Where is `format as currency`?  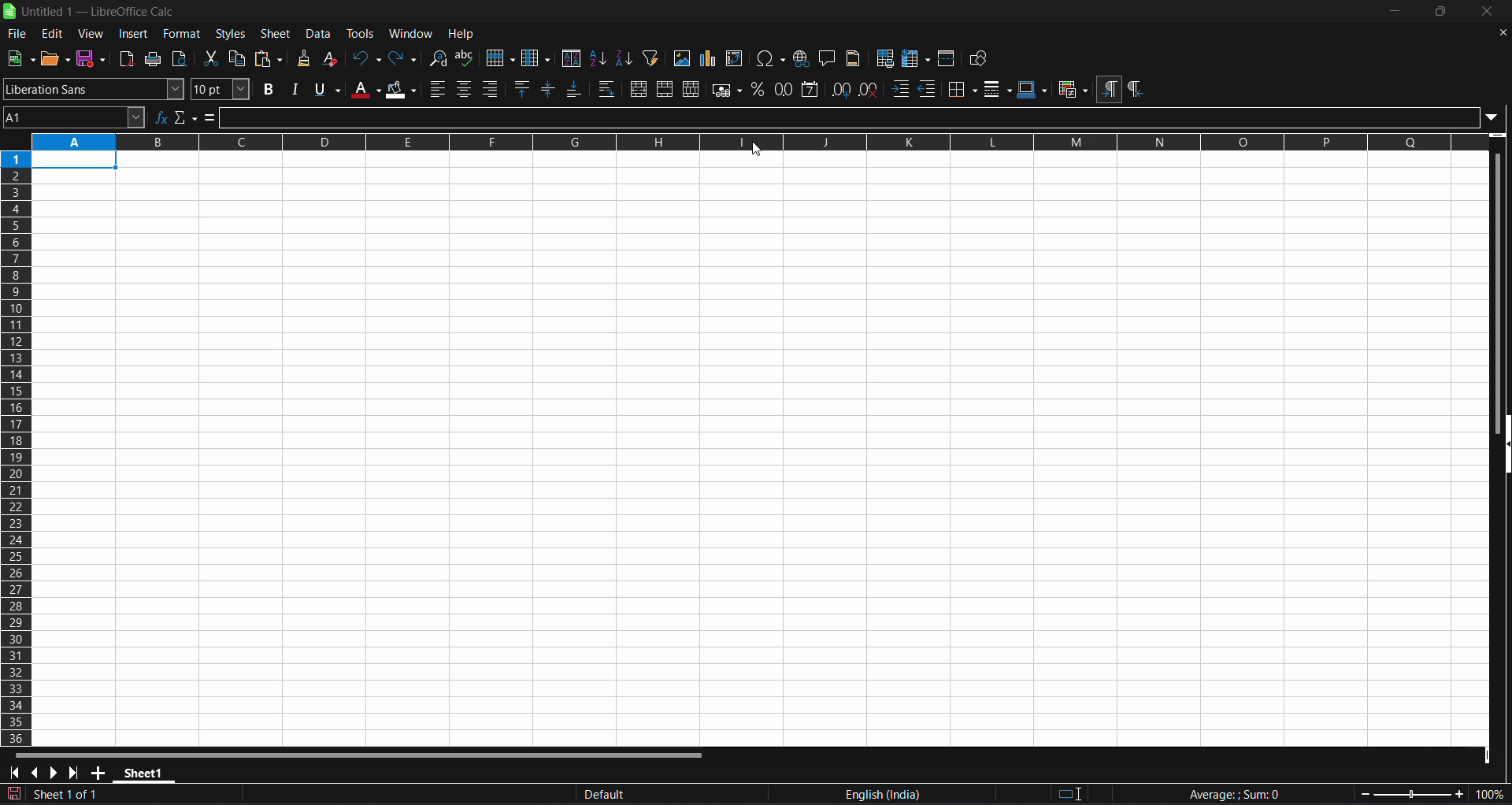
format as currency is located at coordinates (728, 91).